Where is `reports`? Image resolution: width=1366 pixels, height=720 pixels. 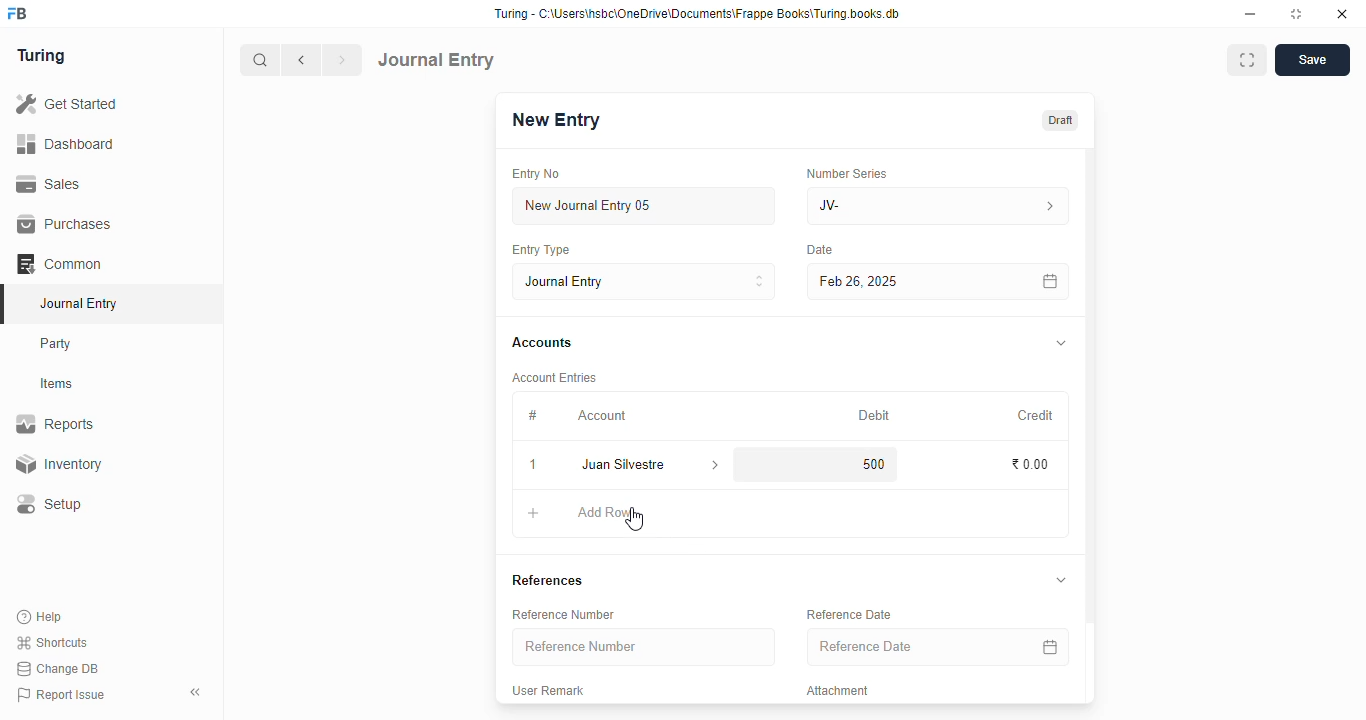
reports is located at coordinates (56, 424).